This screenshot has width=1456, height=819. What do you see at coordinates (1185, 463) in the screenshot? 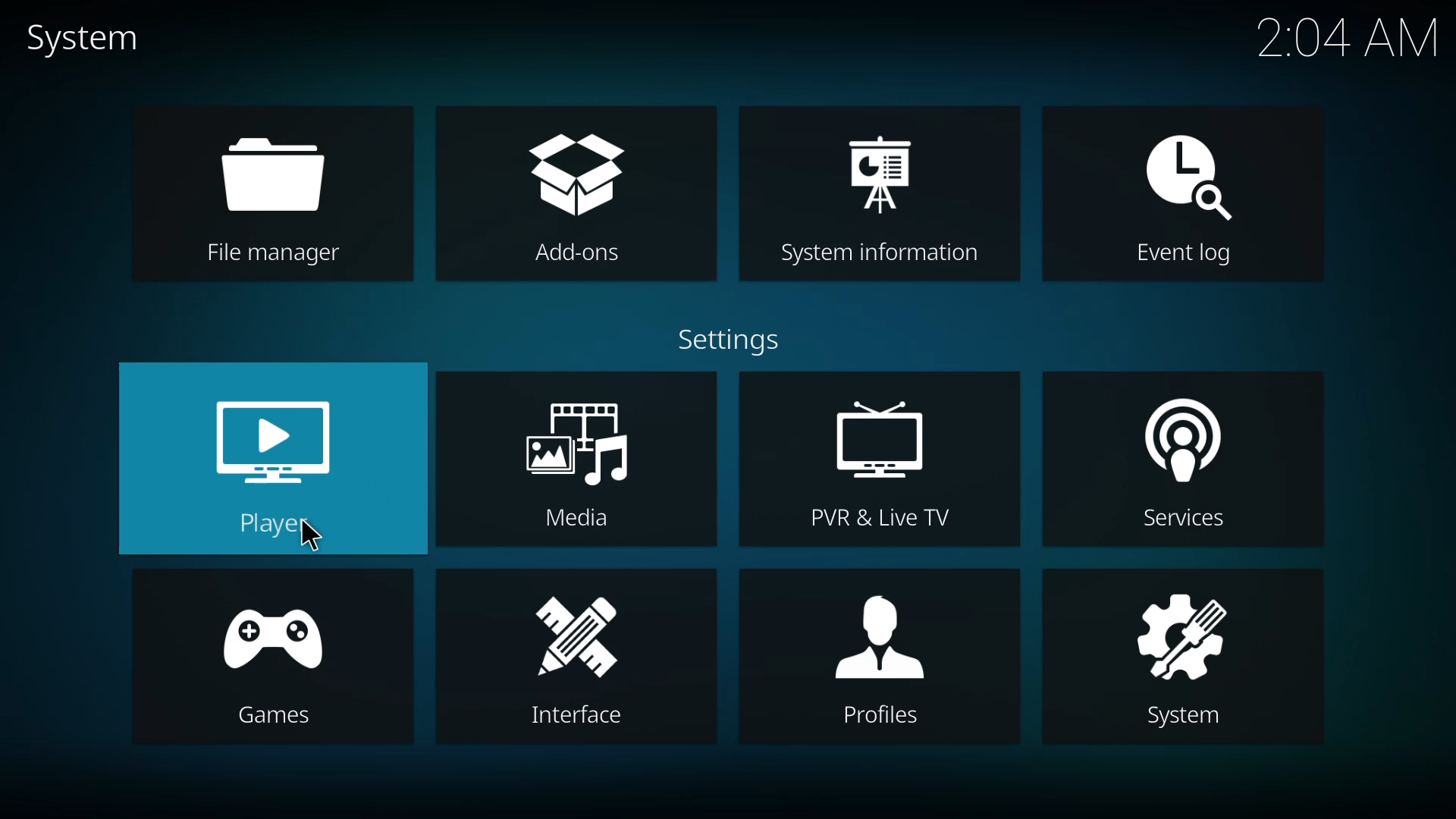
I see `services` at bounding box center [1185, 463].